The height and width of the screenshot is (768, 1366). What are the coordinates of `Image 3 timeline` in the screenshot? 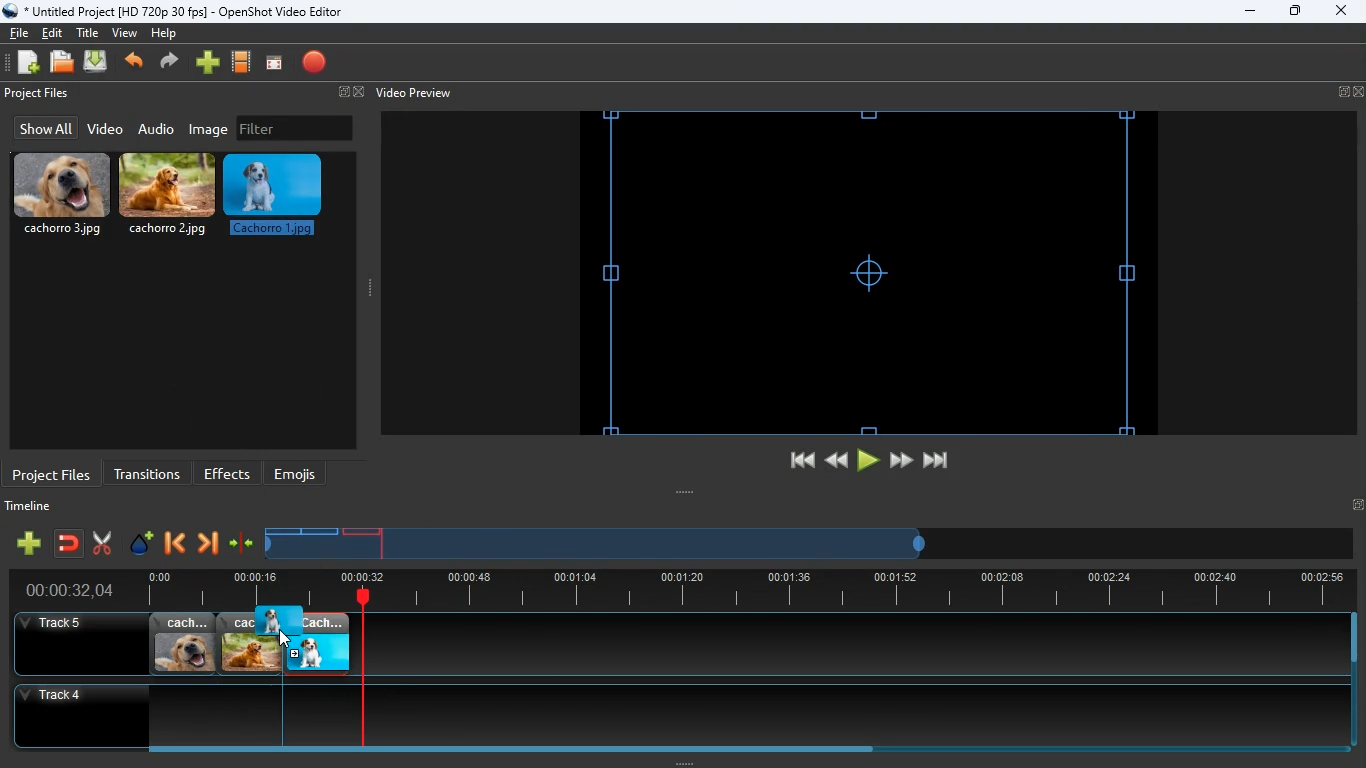 It's located at (362, 531).